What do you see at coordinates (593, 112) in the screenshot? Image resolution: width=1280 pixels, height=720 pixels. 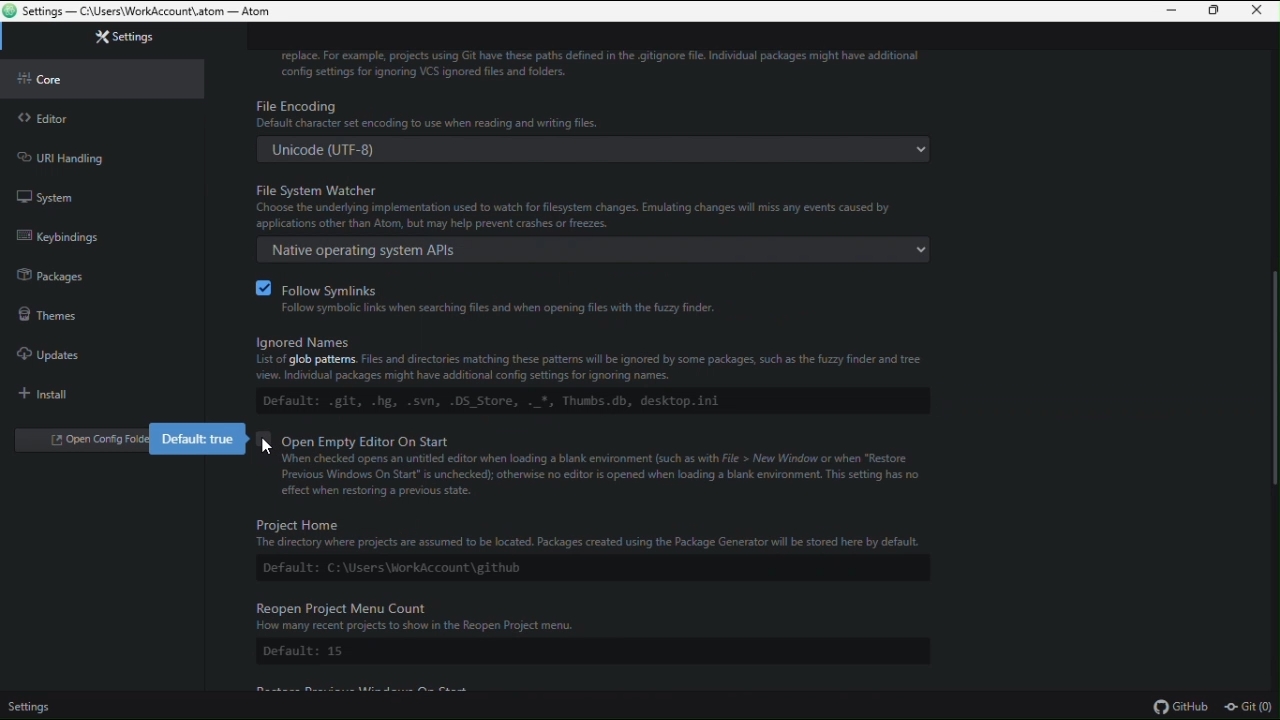 I see `file encoding` at bounding box center [593, 112].